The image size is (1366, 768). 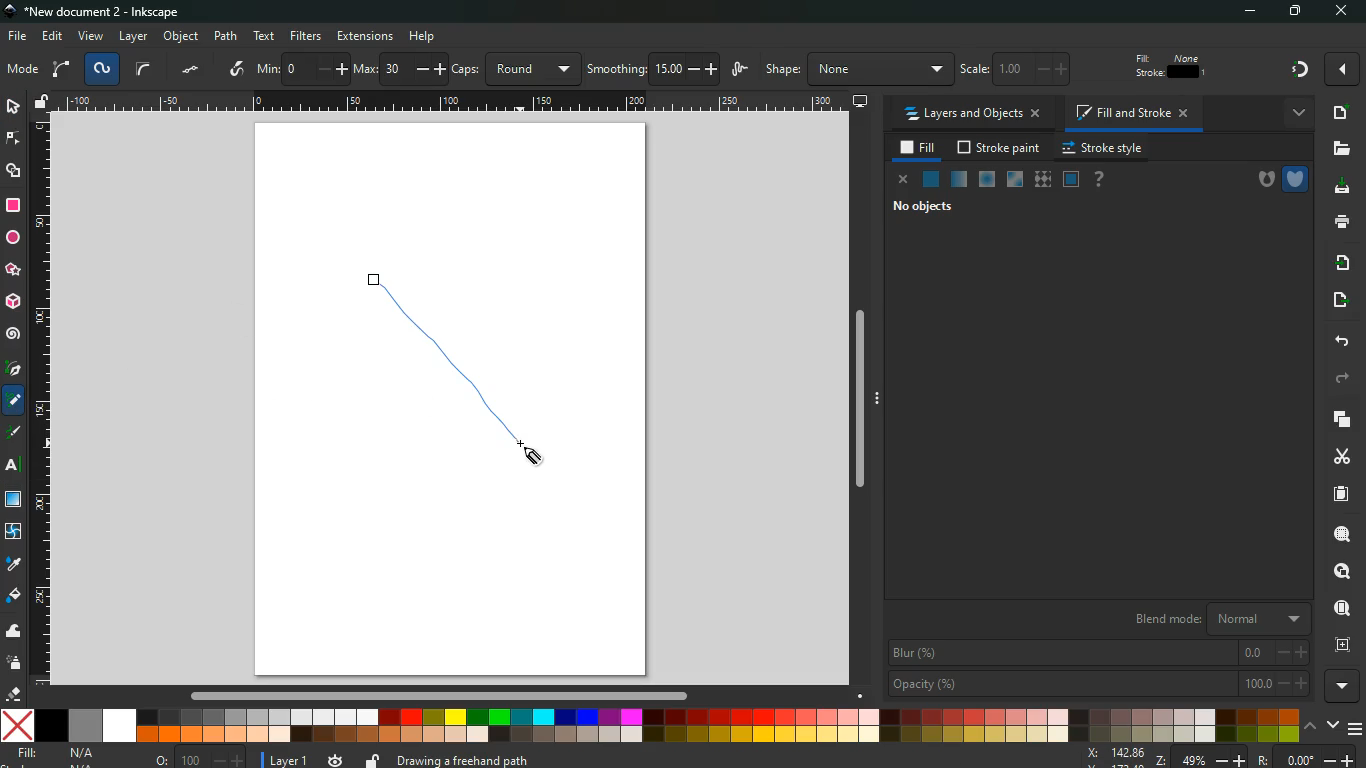 I want to click on unlock, so click(x=43, y=102).